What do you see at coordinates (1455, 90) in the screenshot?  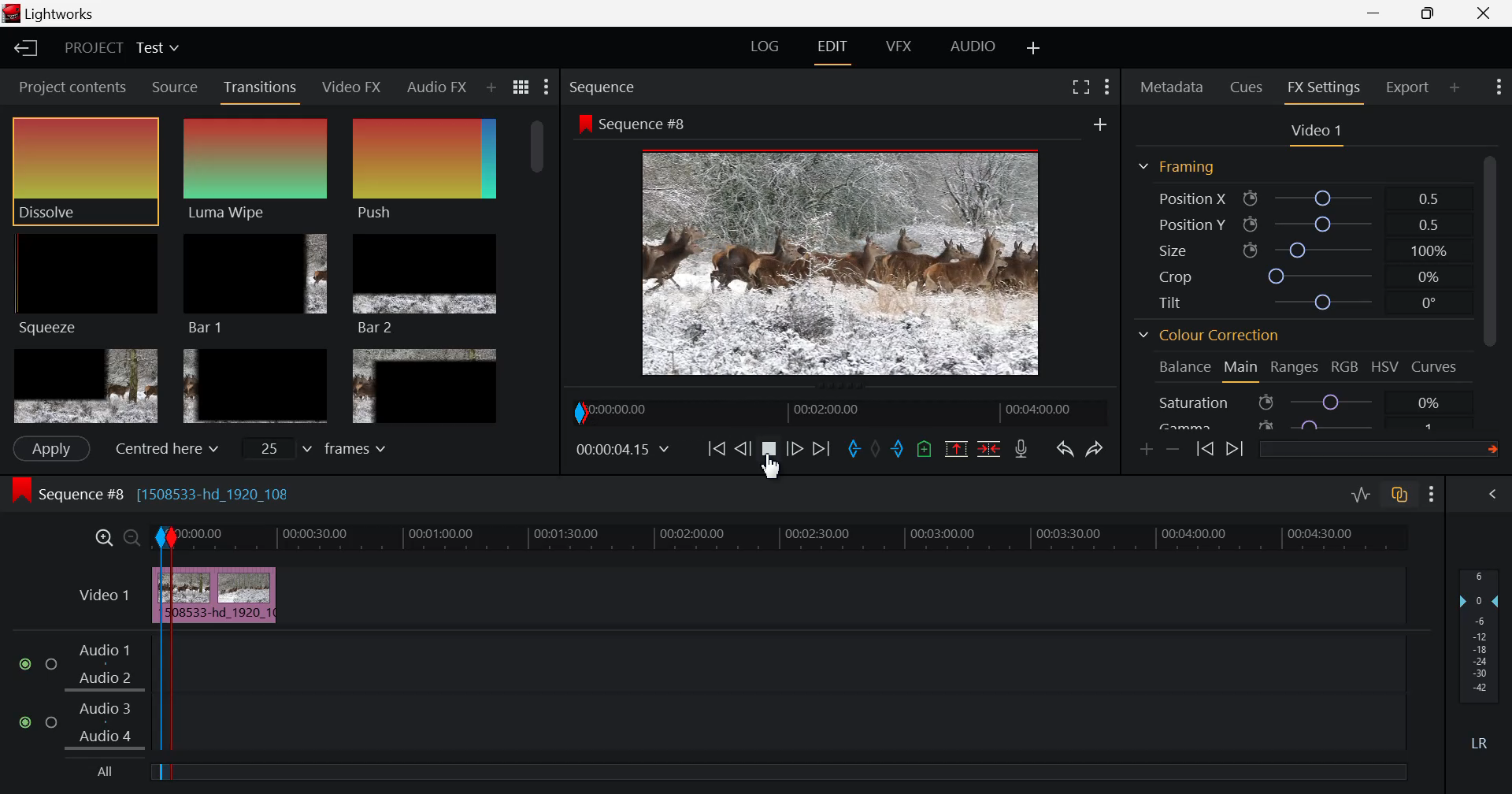 I see `Add panel` at bounding box center [1455, 90].